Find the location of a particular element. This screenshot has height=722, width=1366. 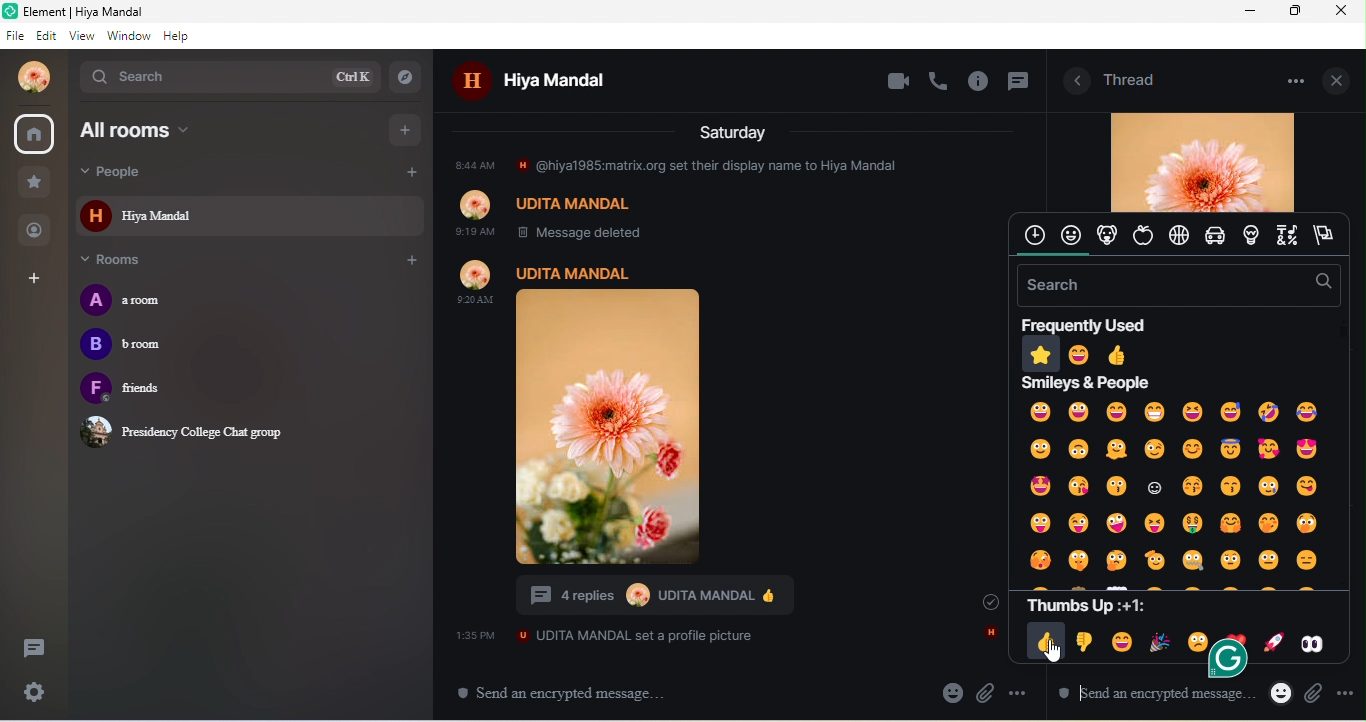

threads is located at coordinates (1017, 84).